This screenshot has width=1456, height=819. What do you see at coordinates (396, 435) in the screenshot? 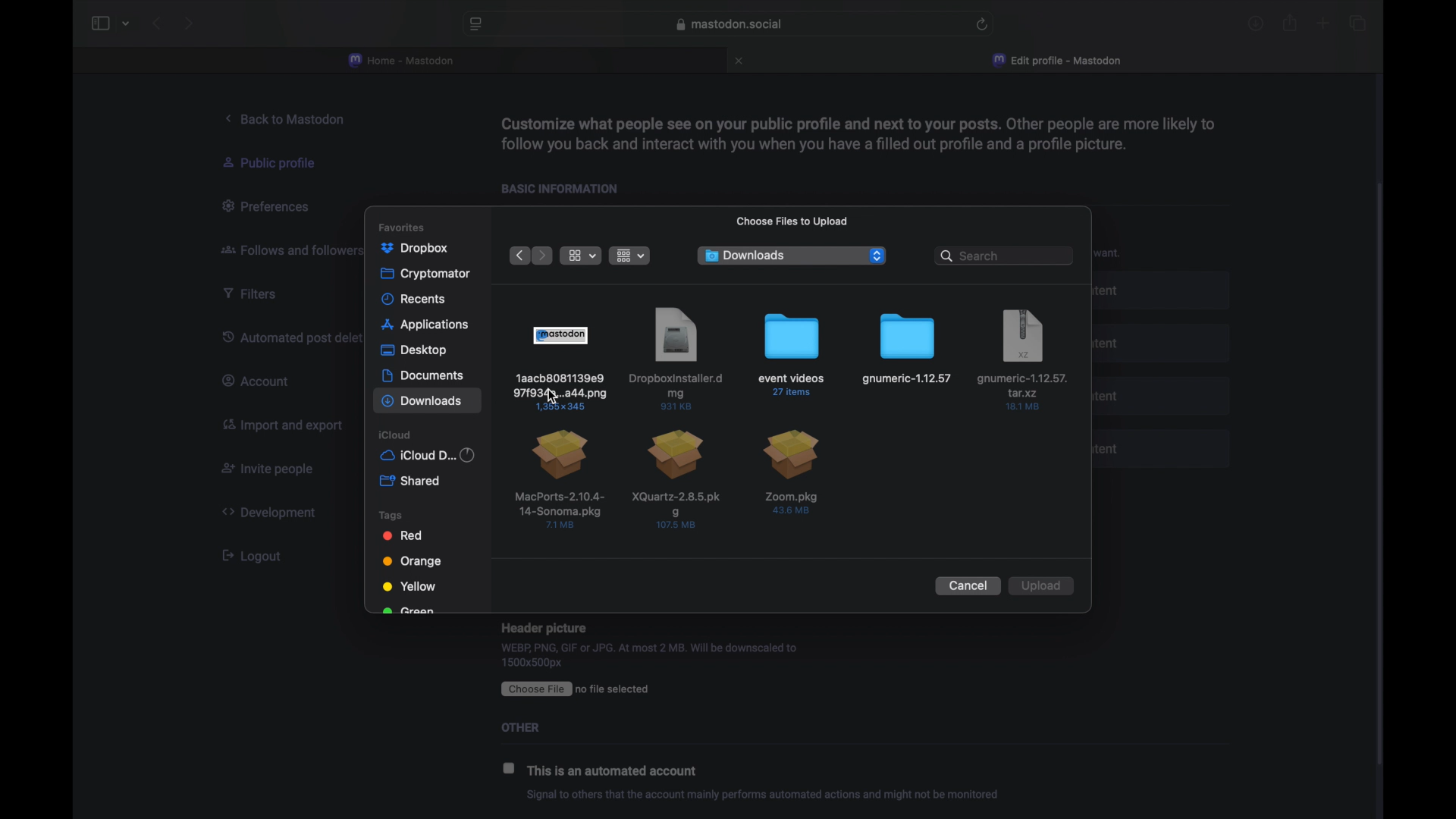
I see `icloud` at bounding box center [396, 435].